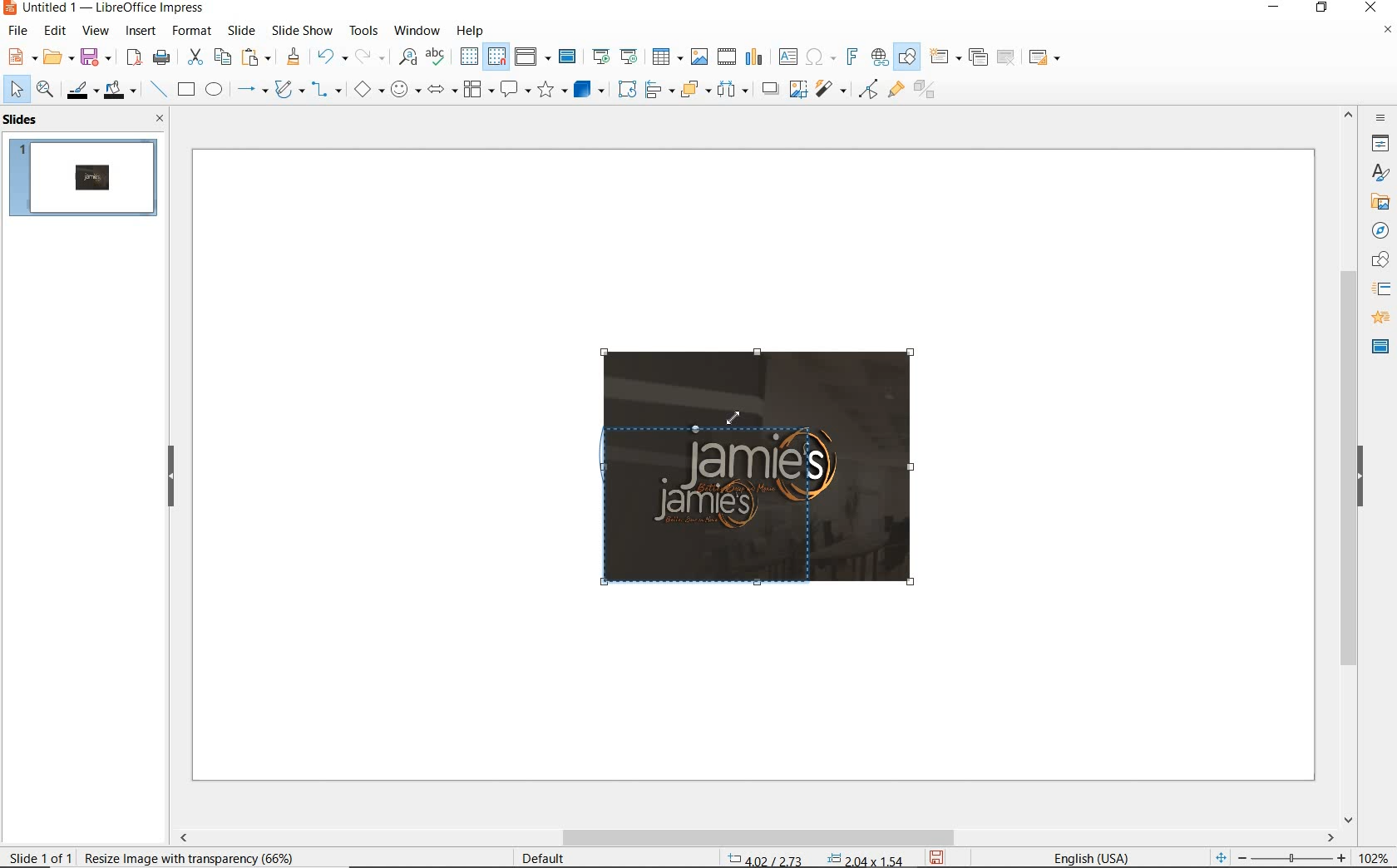 The width and height of the screenshot is (1397, 868). What do you see at coordinates (512, 91) in the screenshot?
I see `callout shapes` at bounding box center [512, 91].